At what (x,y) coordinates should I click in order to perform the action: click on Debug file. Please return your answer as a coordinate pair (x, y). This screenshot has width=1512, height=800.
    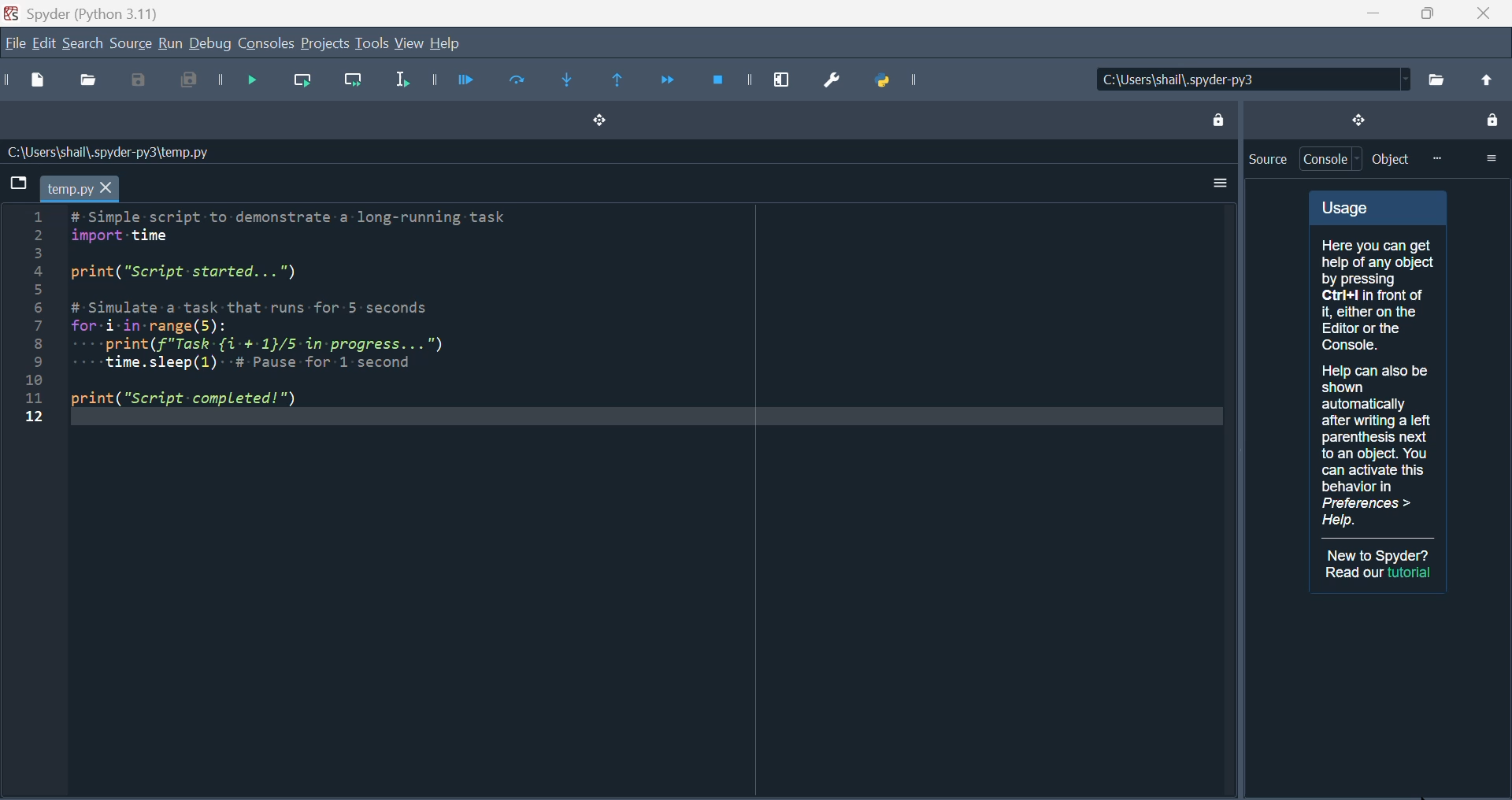
    Looking at the image, I should click on (244, 82).